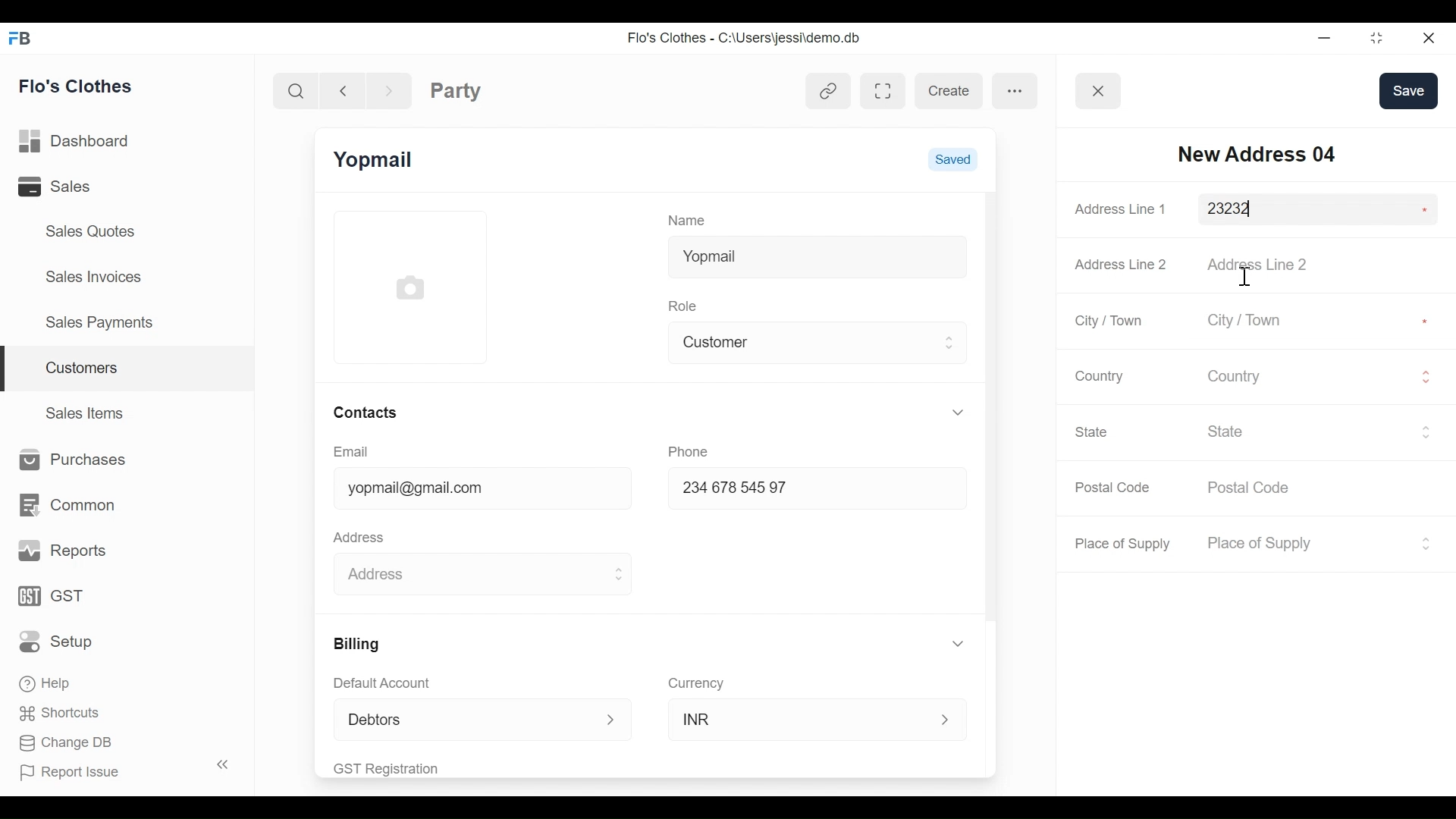 The height and width of the screenshot is (819, 1456). What do you see at coordinates (79, 142) in the screenshot?
I see `Dashboard` at bounding box center [79, 142].